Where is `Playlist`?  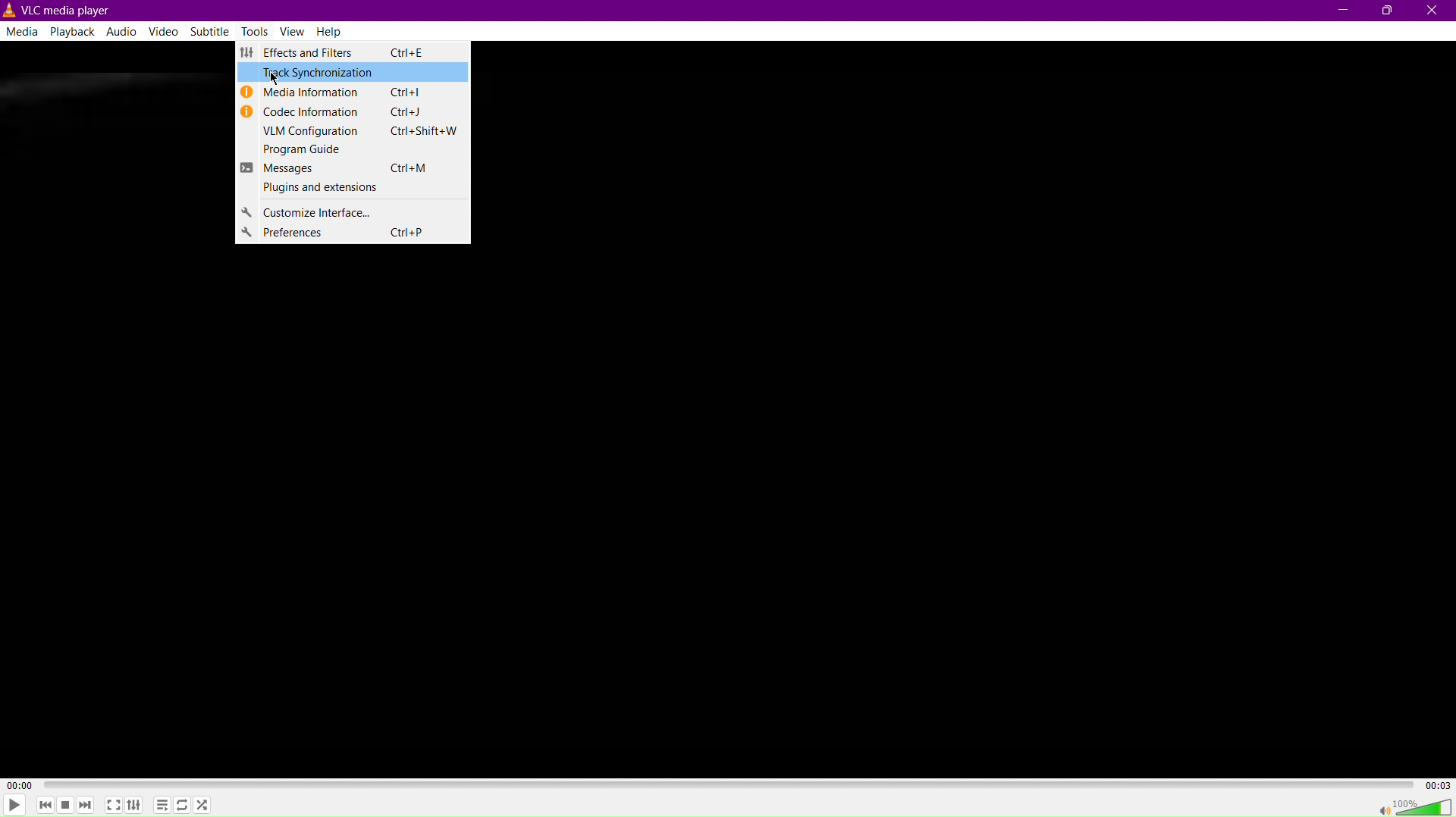 Playlist is located at coordinates (165, 805).